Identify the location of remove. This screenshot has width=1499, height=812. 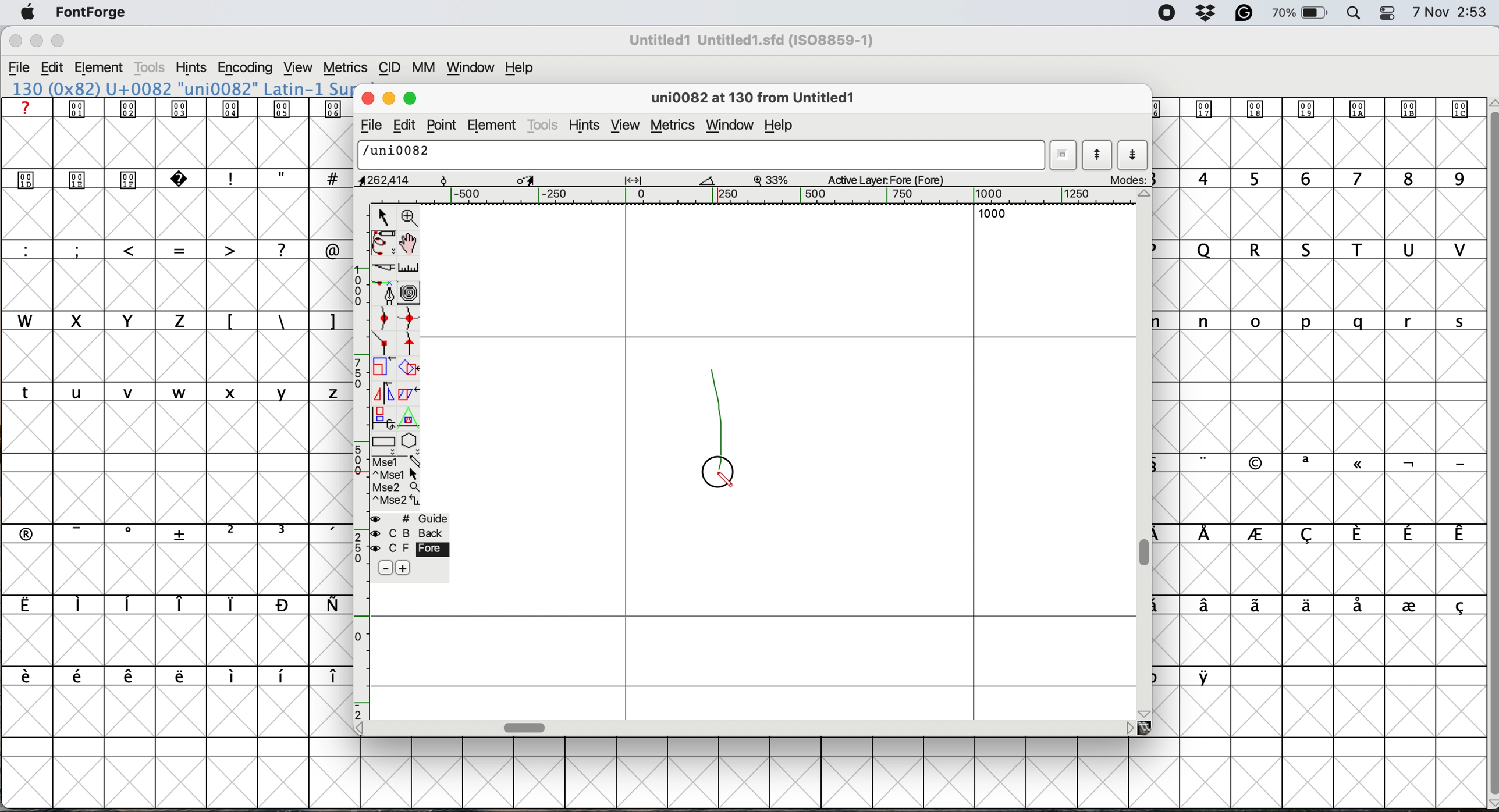
(382, 568).